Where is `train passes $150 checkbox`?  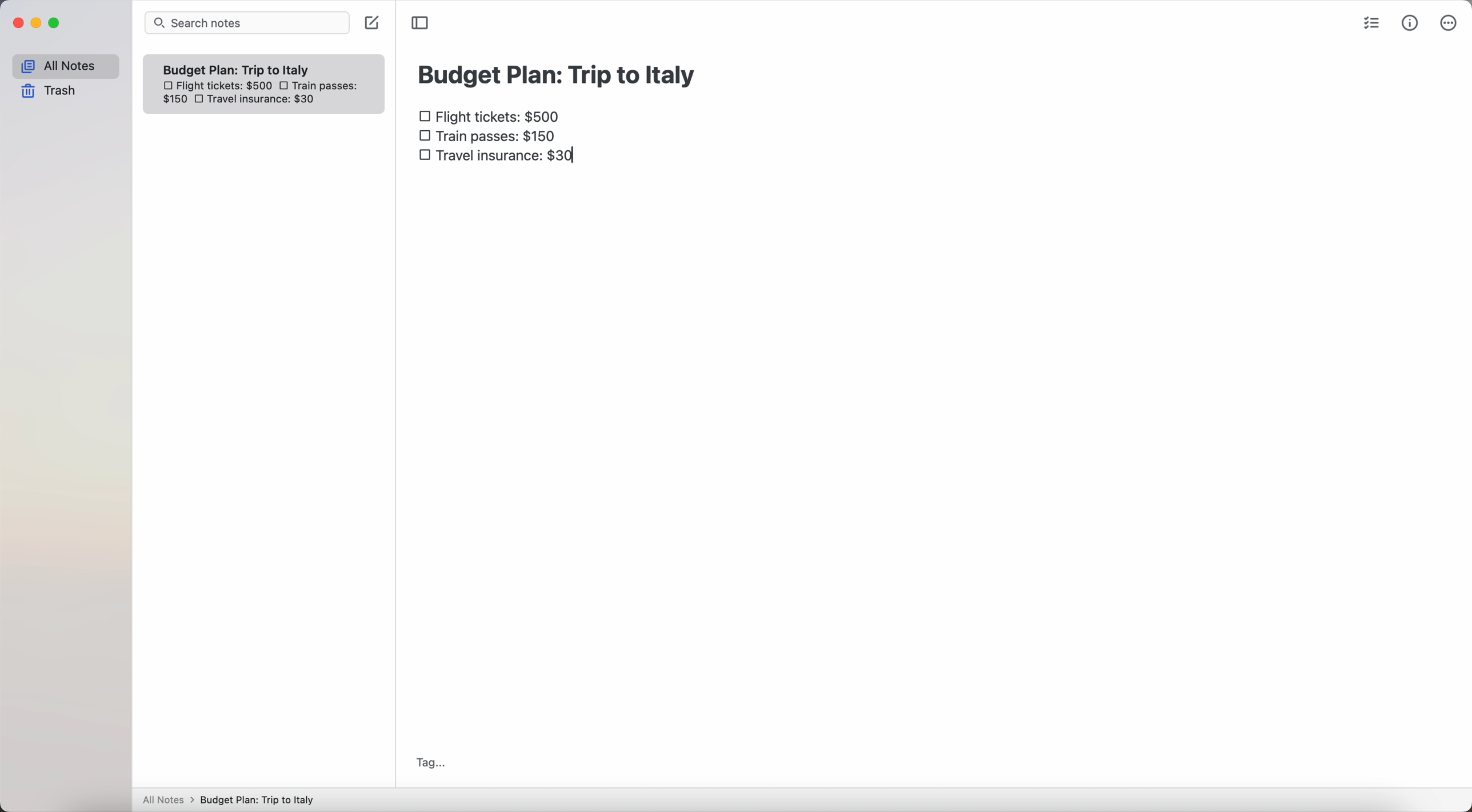 train passes $150 checkbox is located at coordinates (489, 139).